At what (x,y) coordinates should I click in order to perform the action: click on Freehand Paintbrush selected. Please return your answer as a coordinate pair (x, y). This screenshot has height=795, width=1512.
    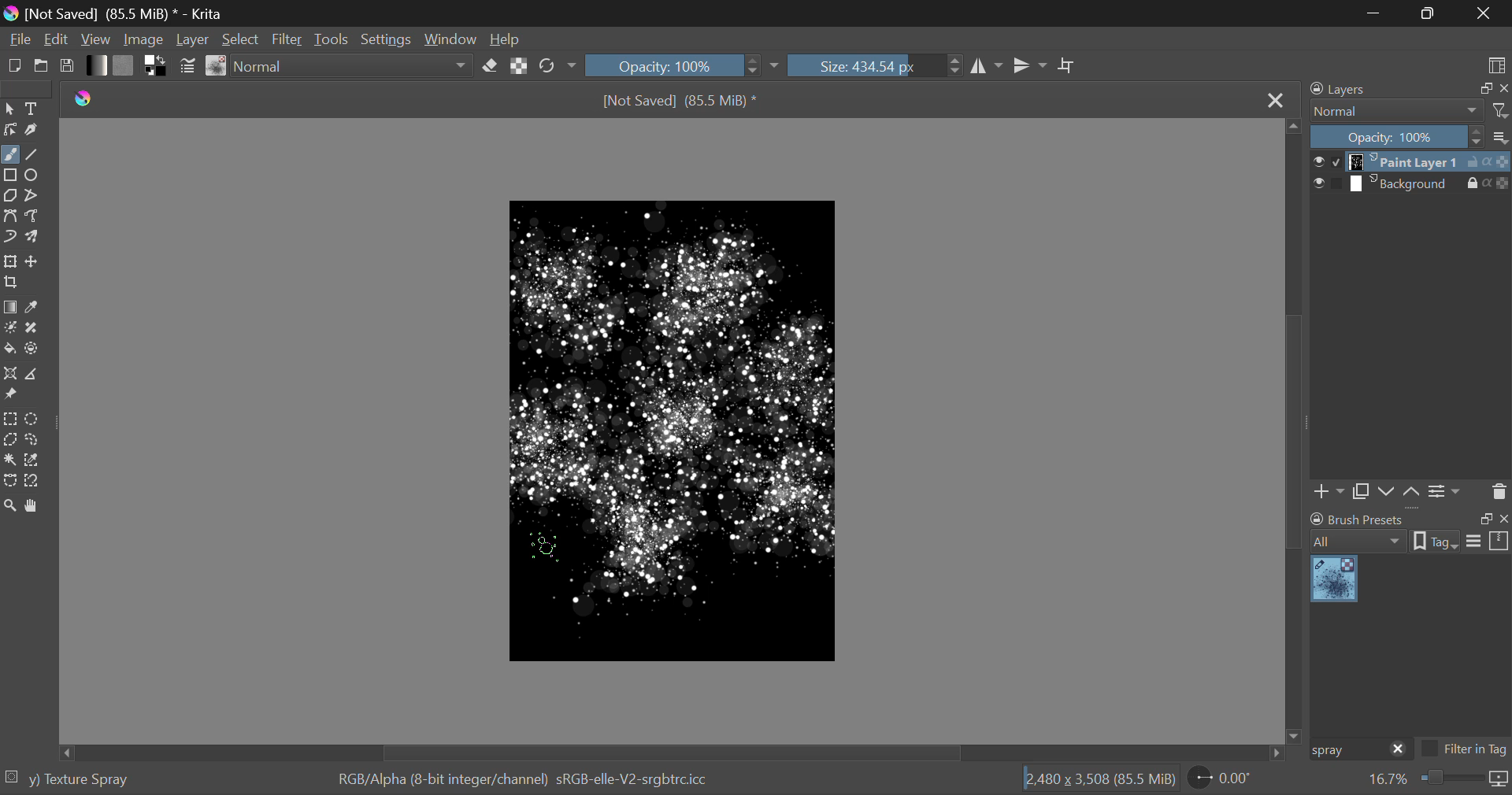
    Looking at the image, I should click on (9, 156).